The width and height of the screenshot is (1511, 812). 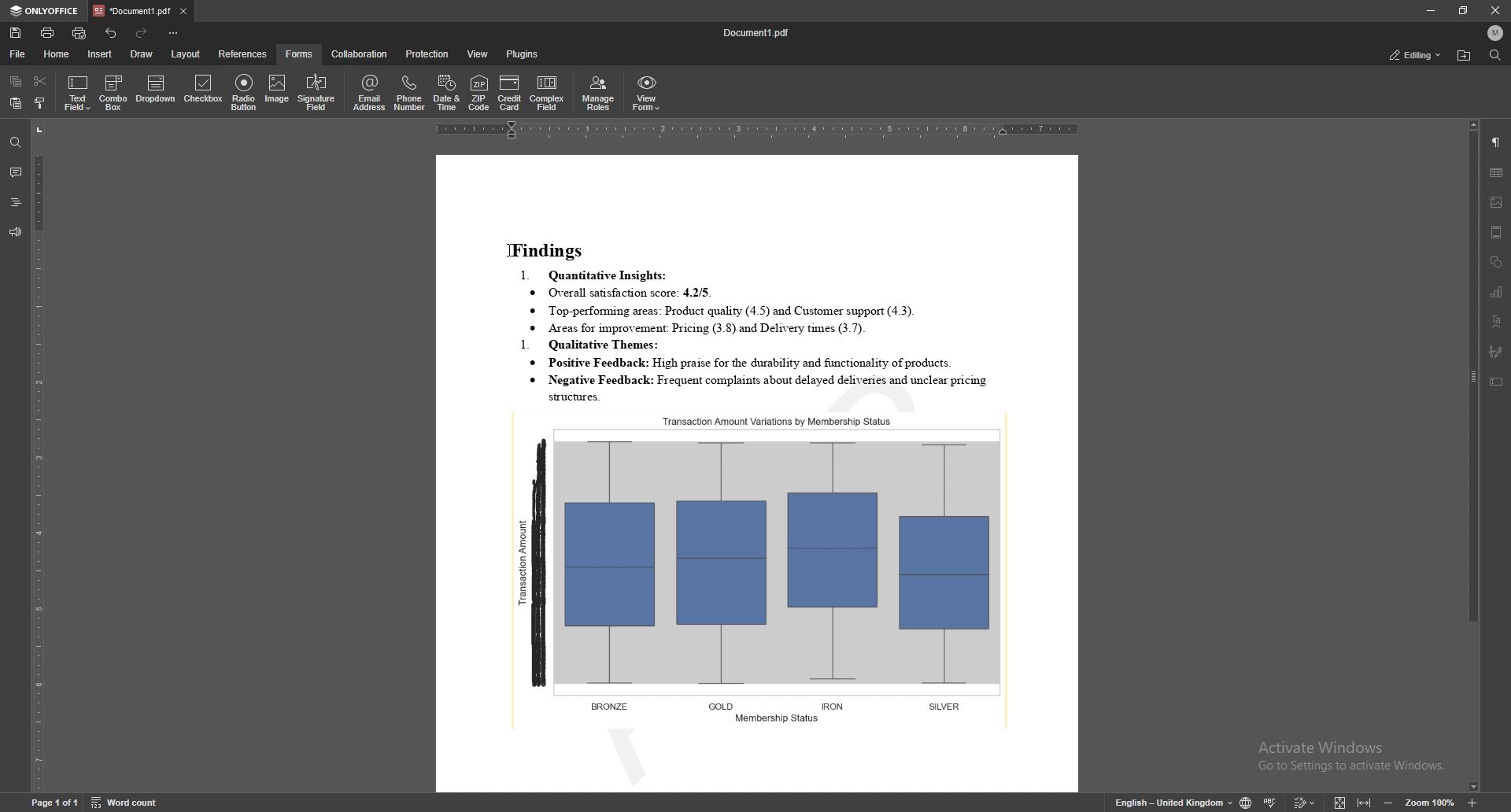 What do you see at coordinates (758, 132) in the screenshot?
I see `horizontal scale` at bounding box center [758, 132].